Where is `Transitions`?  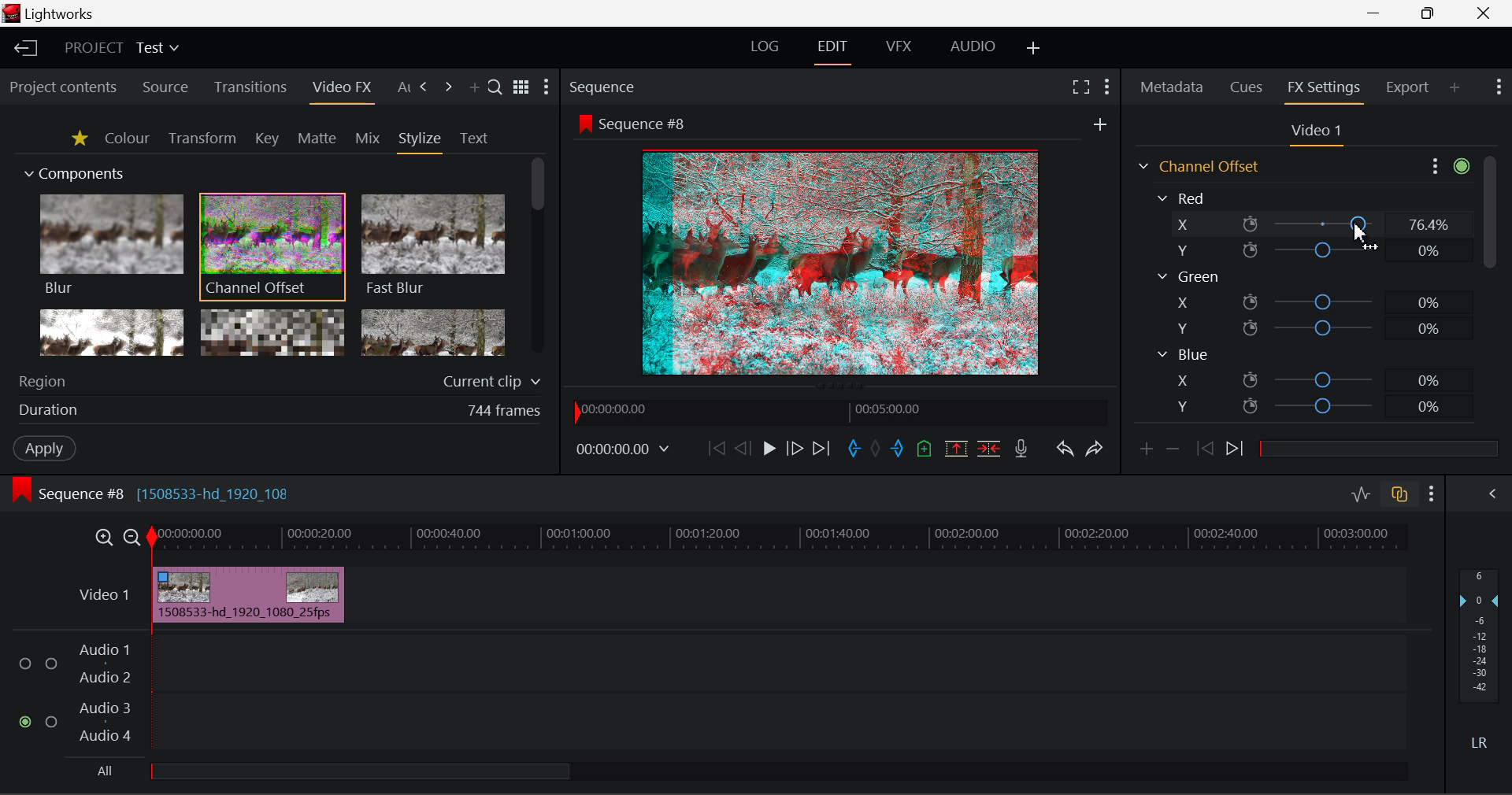 Transitions is located at coordinates (249, 87).